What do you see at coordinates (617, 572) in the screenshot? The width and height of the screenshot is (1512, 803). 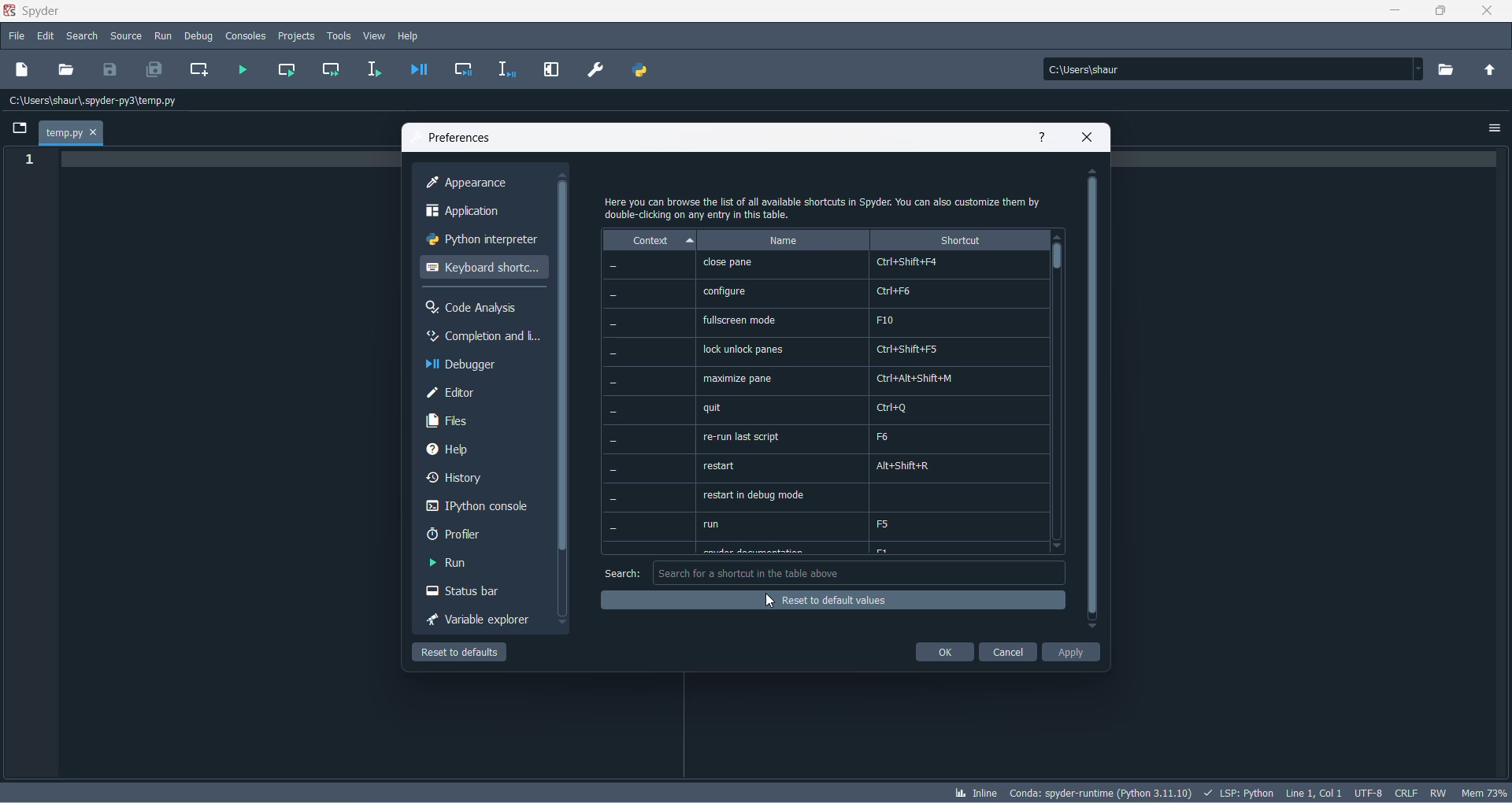 I see `search ` at bounding box center [617, 572].